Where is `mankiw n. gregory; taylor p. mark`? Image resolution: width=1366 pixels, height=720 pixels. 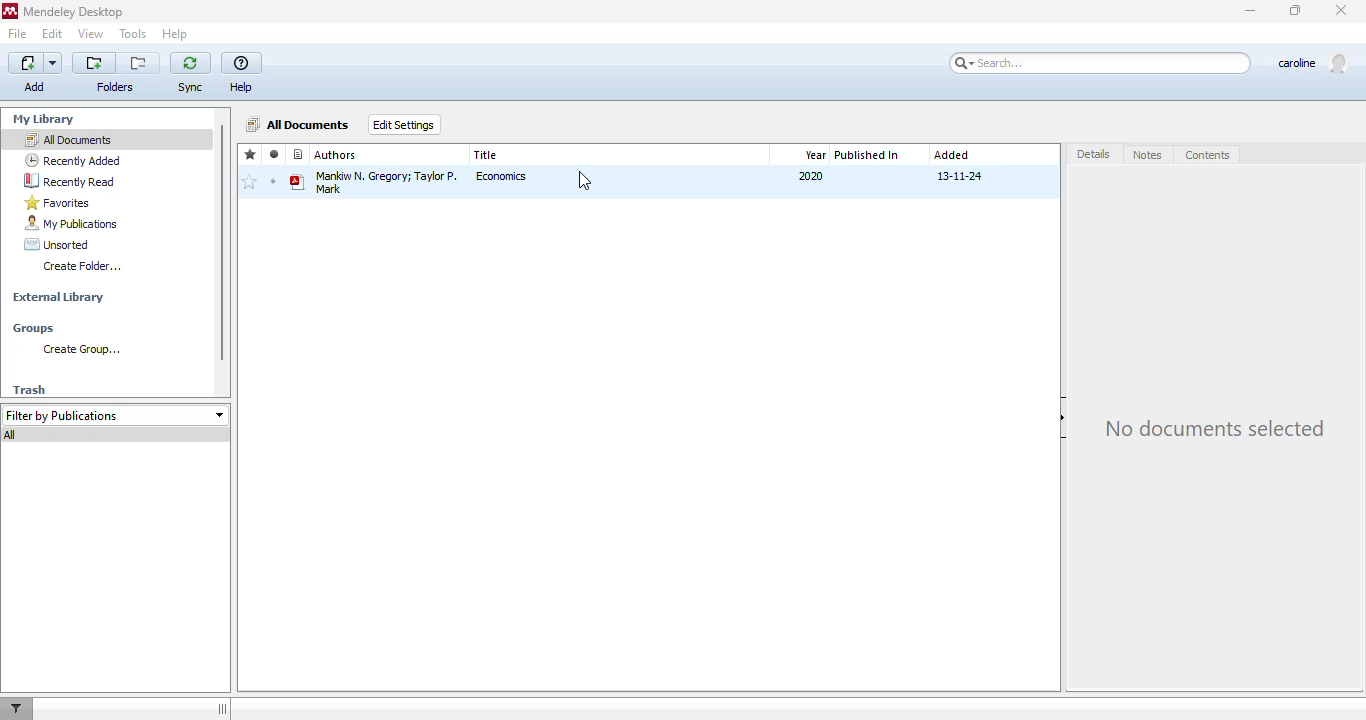 mankiw n. gregory; taylor p. mark is located at coordinates (386, 183).